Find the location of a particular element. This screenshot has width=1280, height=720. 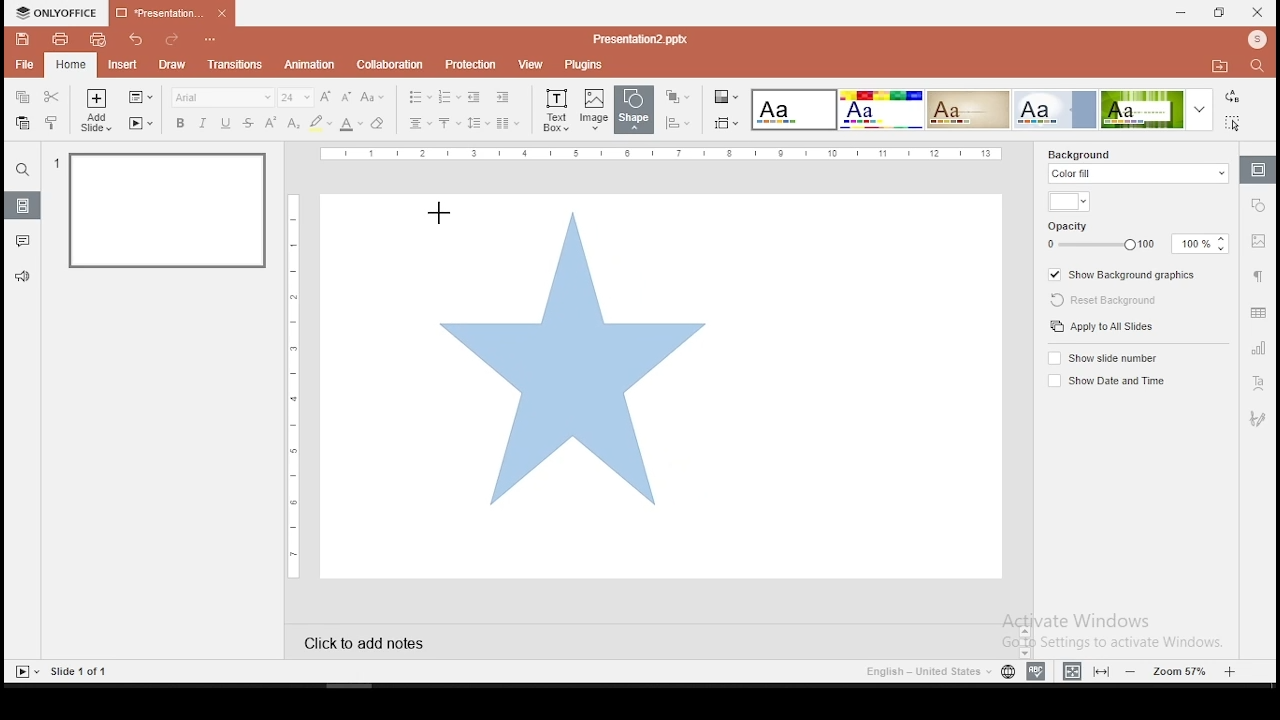

slide 1 is located at coordinates (170, 213).